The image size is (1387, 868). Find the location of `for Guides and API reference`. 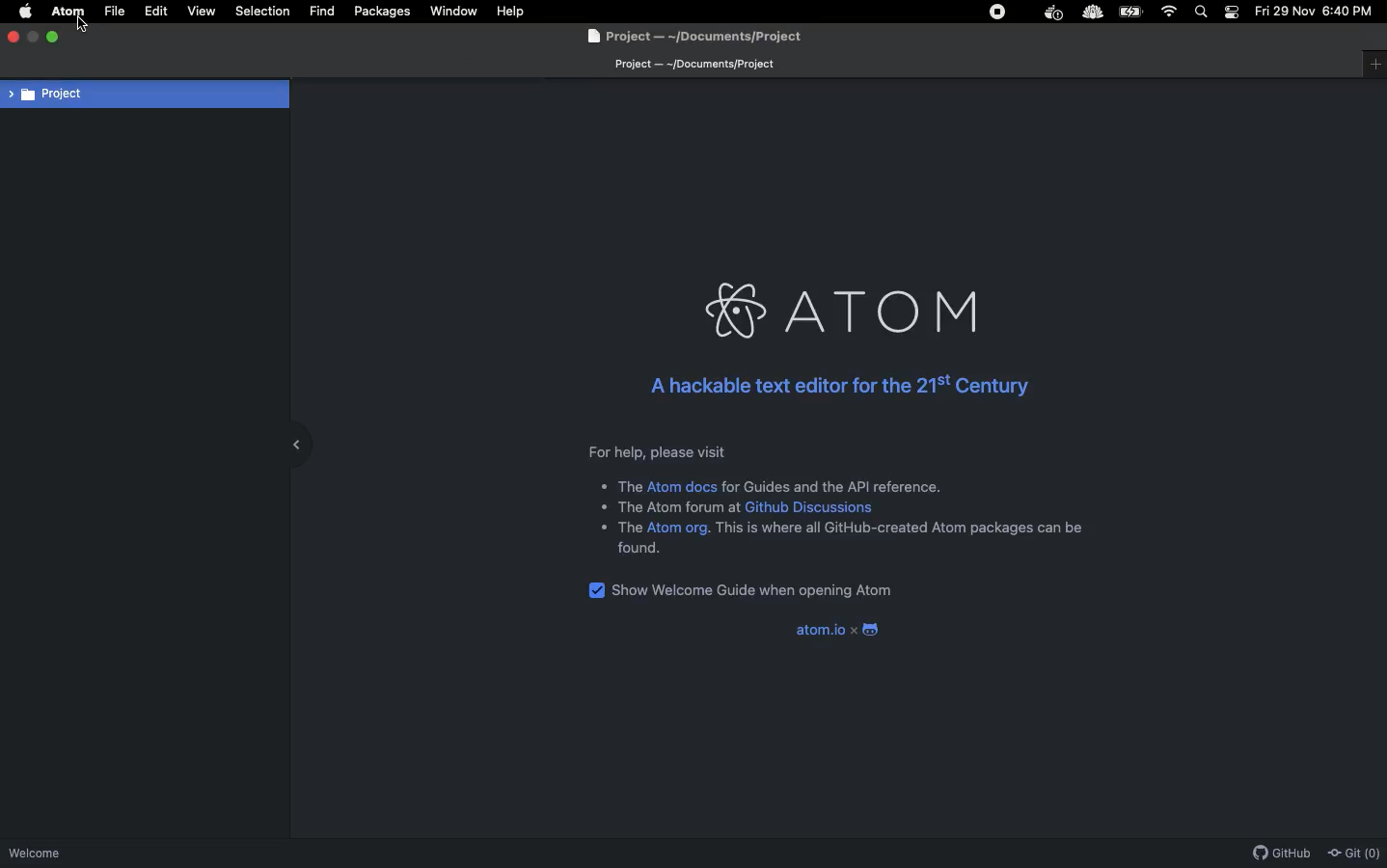

for Guides and API reference is located at coordinates (831, 486).